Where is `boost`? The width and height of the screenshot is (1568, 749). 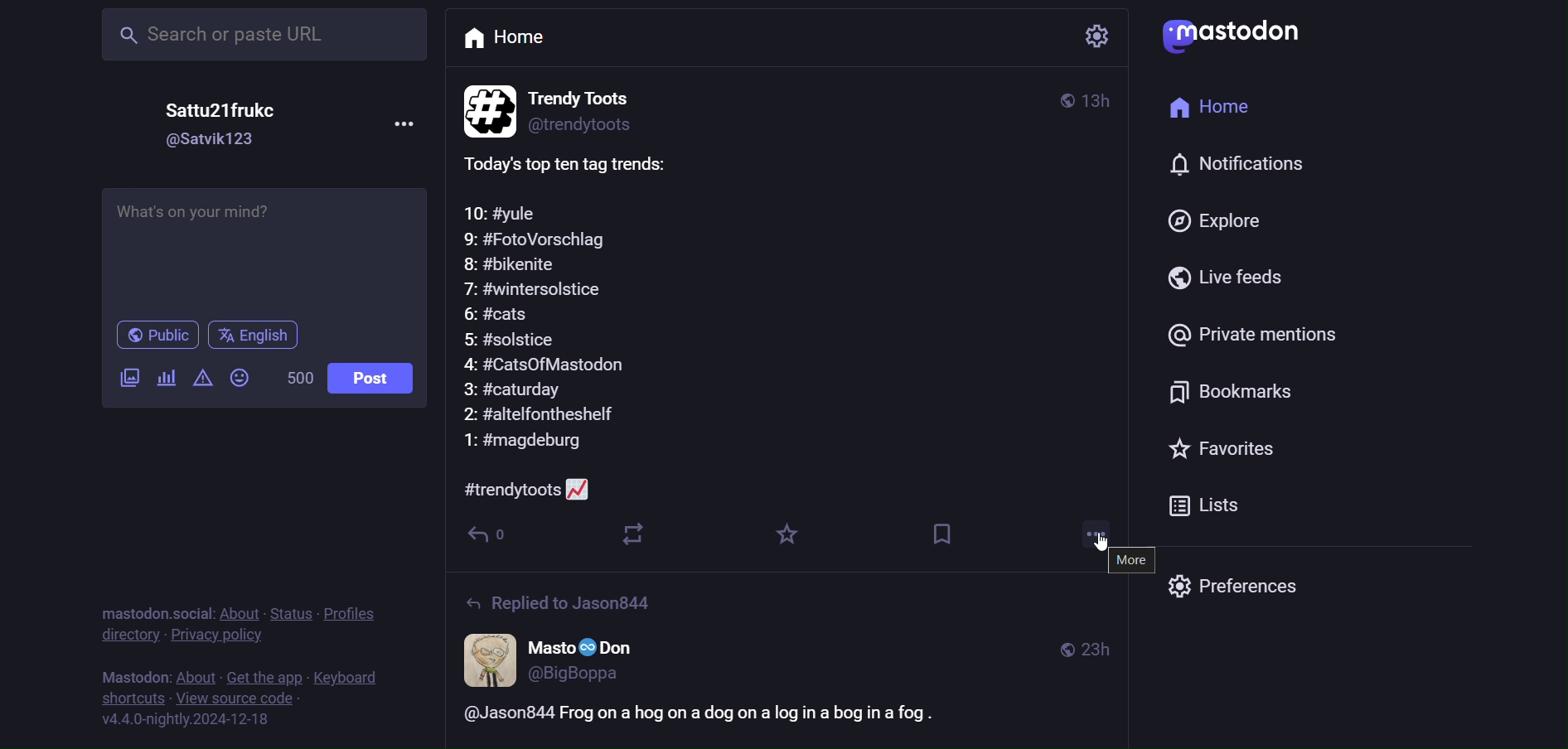
boost is located at coordinates (632, 532).